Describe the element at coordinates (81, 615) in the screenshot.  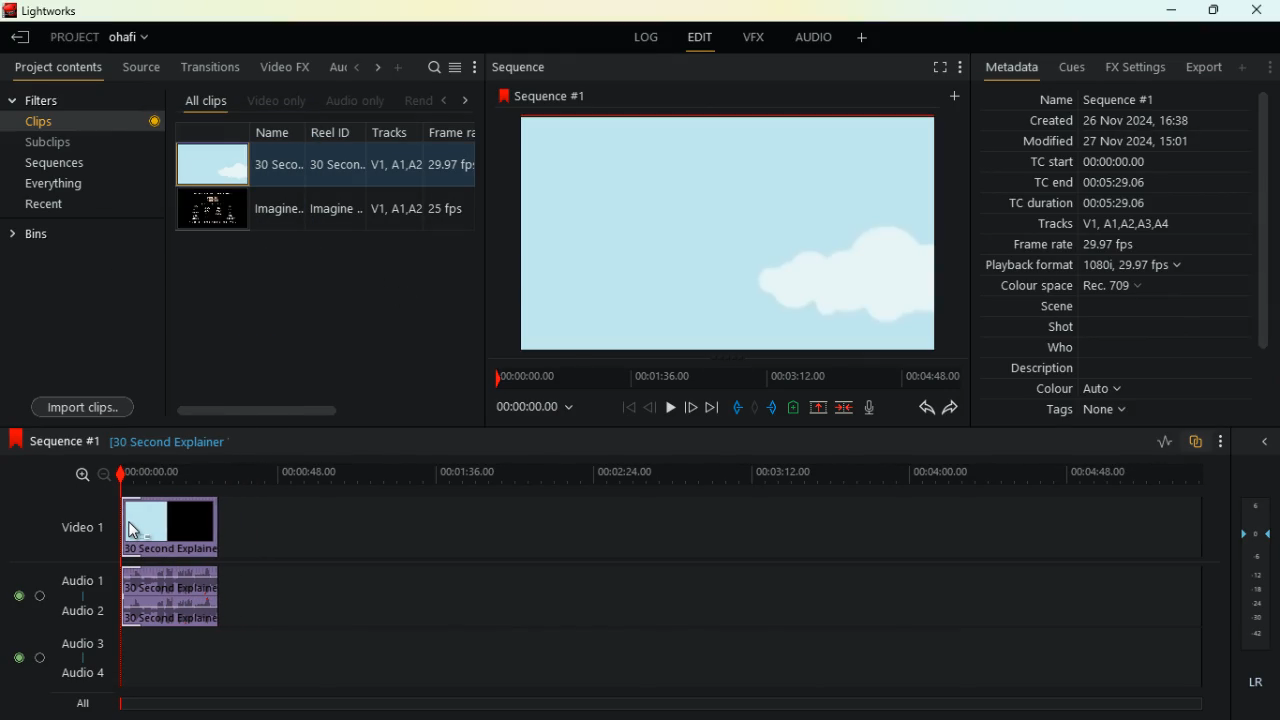
I see `audio 2` at that location.